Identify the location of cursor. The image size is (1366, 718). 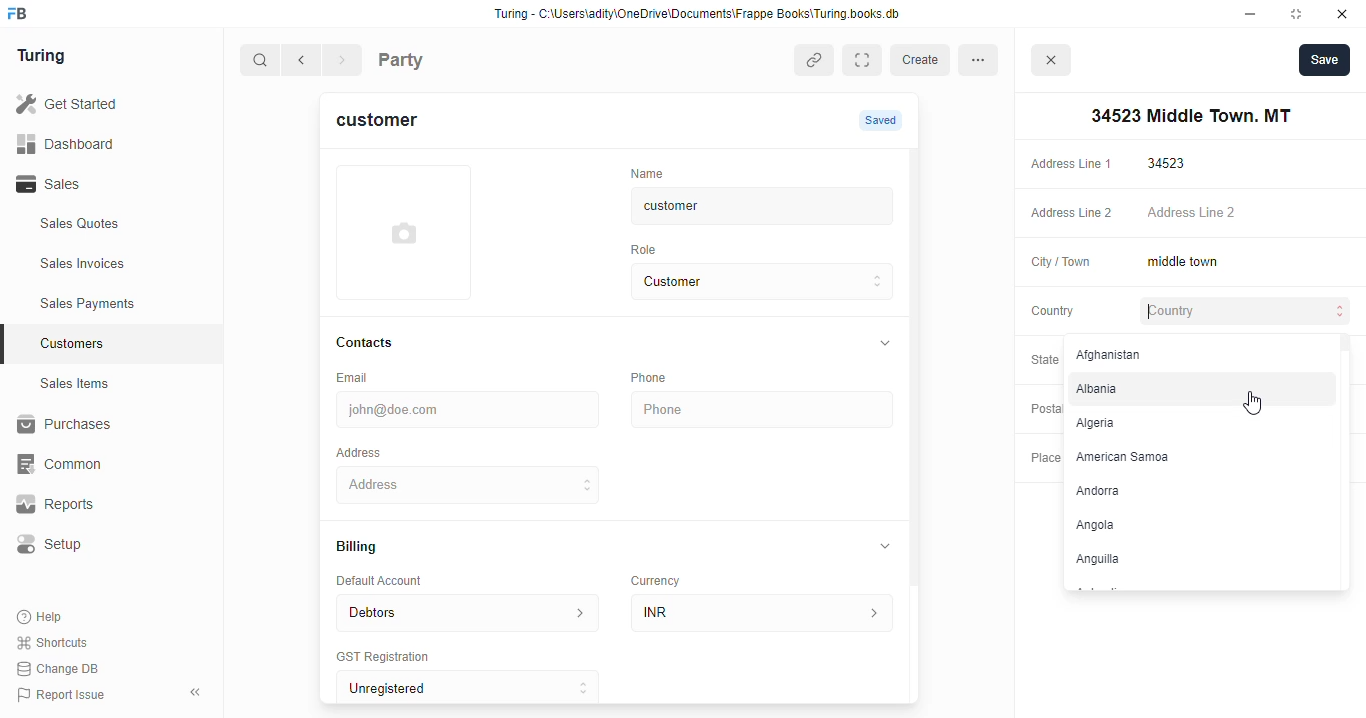
(1253, 403).